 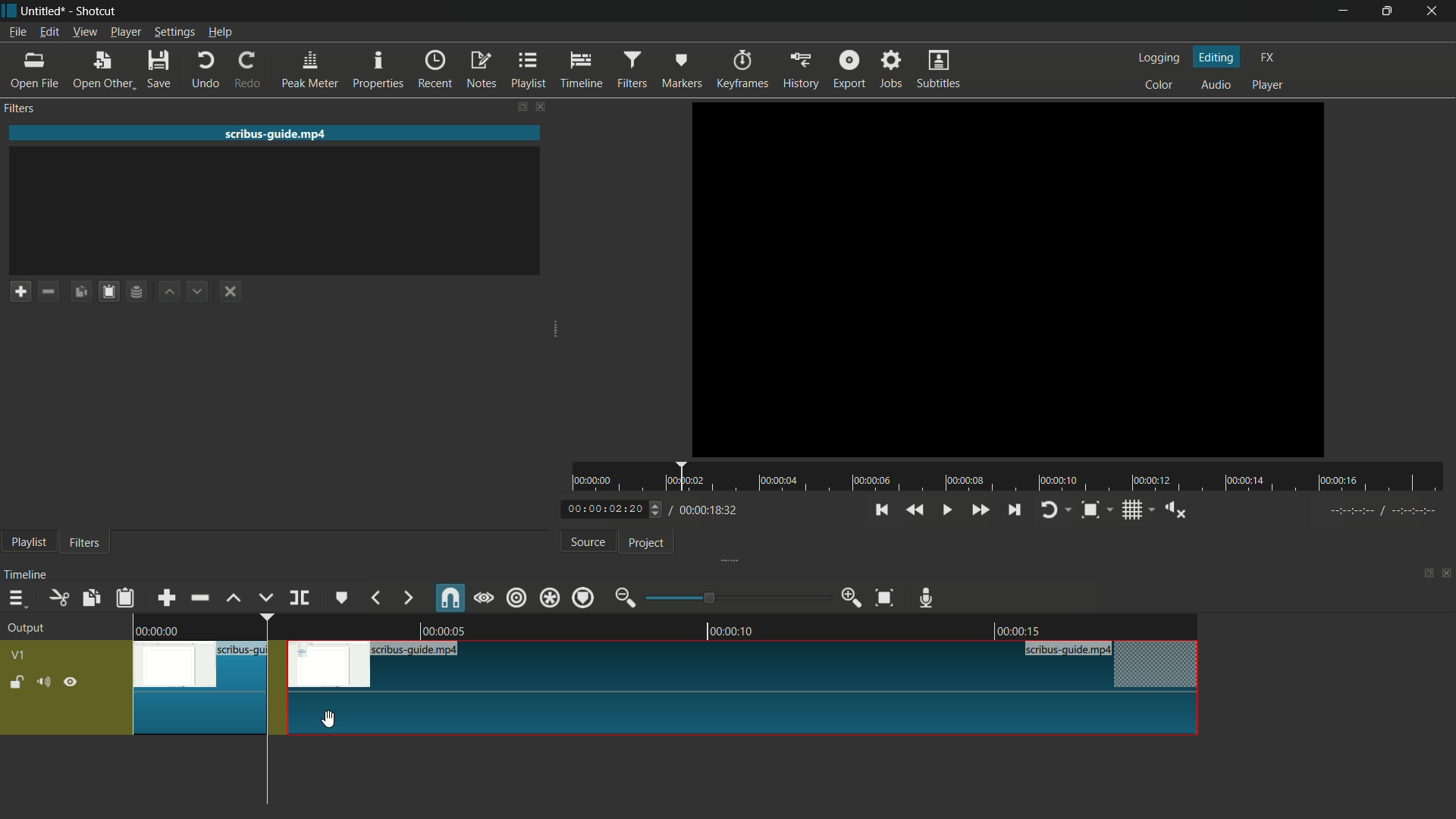 What do you see at coordinates (49, 32) in the screenshot?
I see `edit menu` at bounding box center [49, 32].